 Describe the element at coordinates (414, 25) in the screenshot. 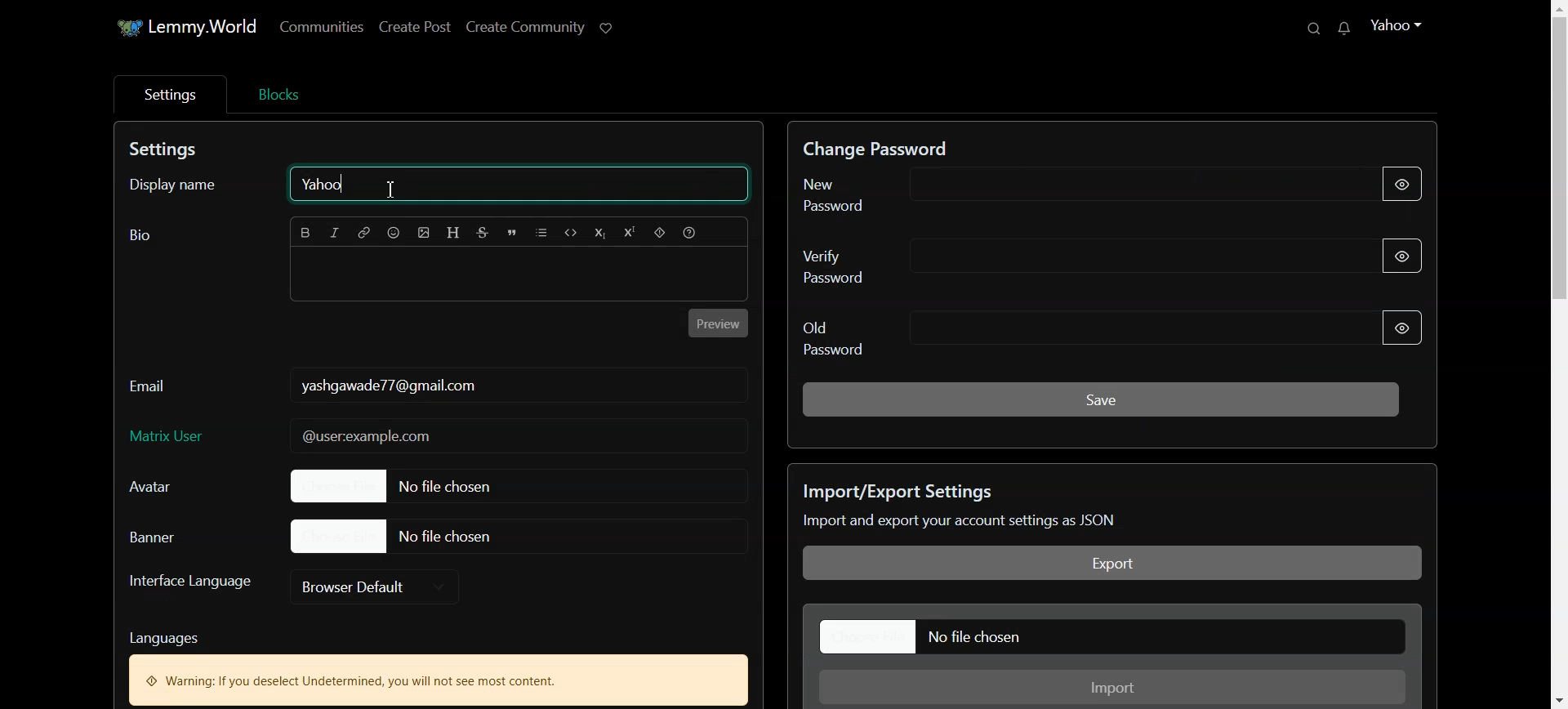

I see `create Post` at that location.